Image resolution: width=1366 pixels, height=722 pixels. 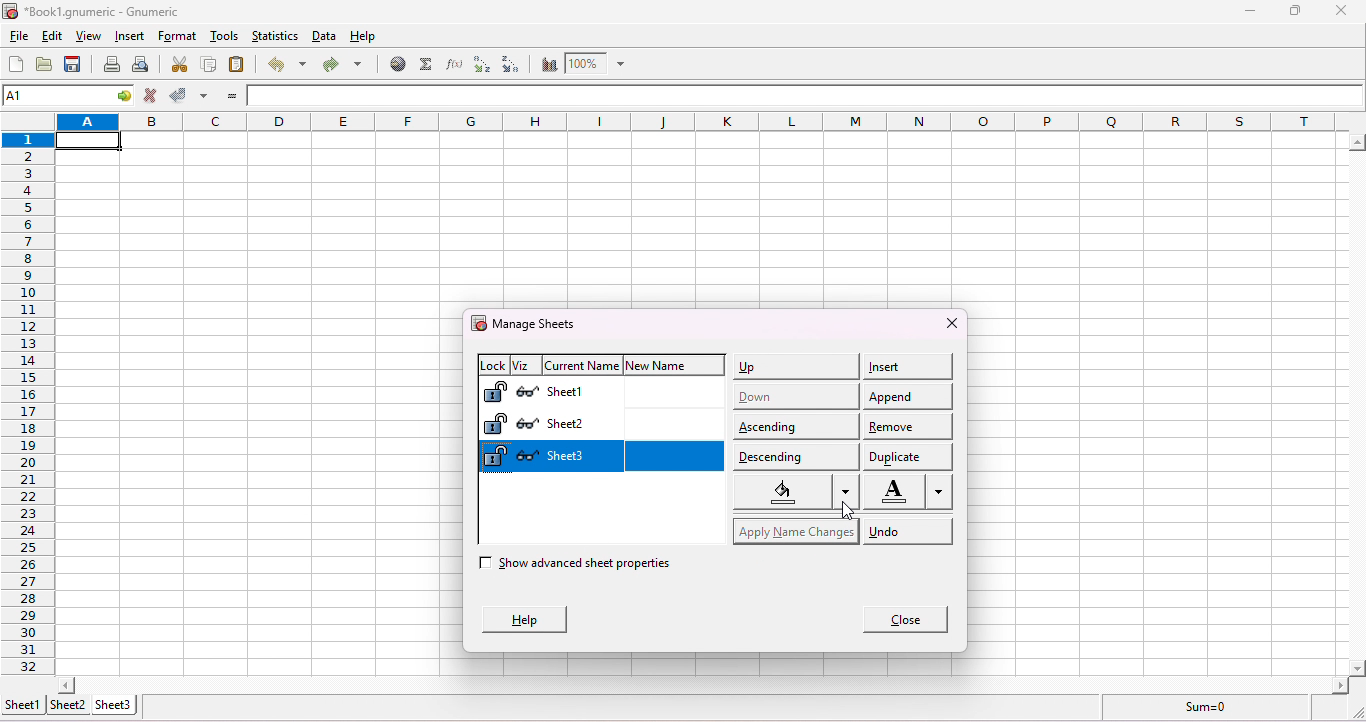 What do you see at coordinates (453, 63) in the screenshot?
I see `edit a function in the current cell` at bounding box center [453, 63].